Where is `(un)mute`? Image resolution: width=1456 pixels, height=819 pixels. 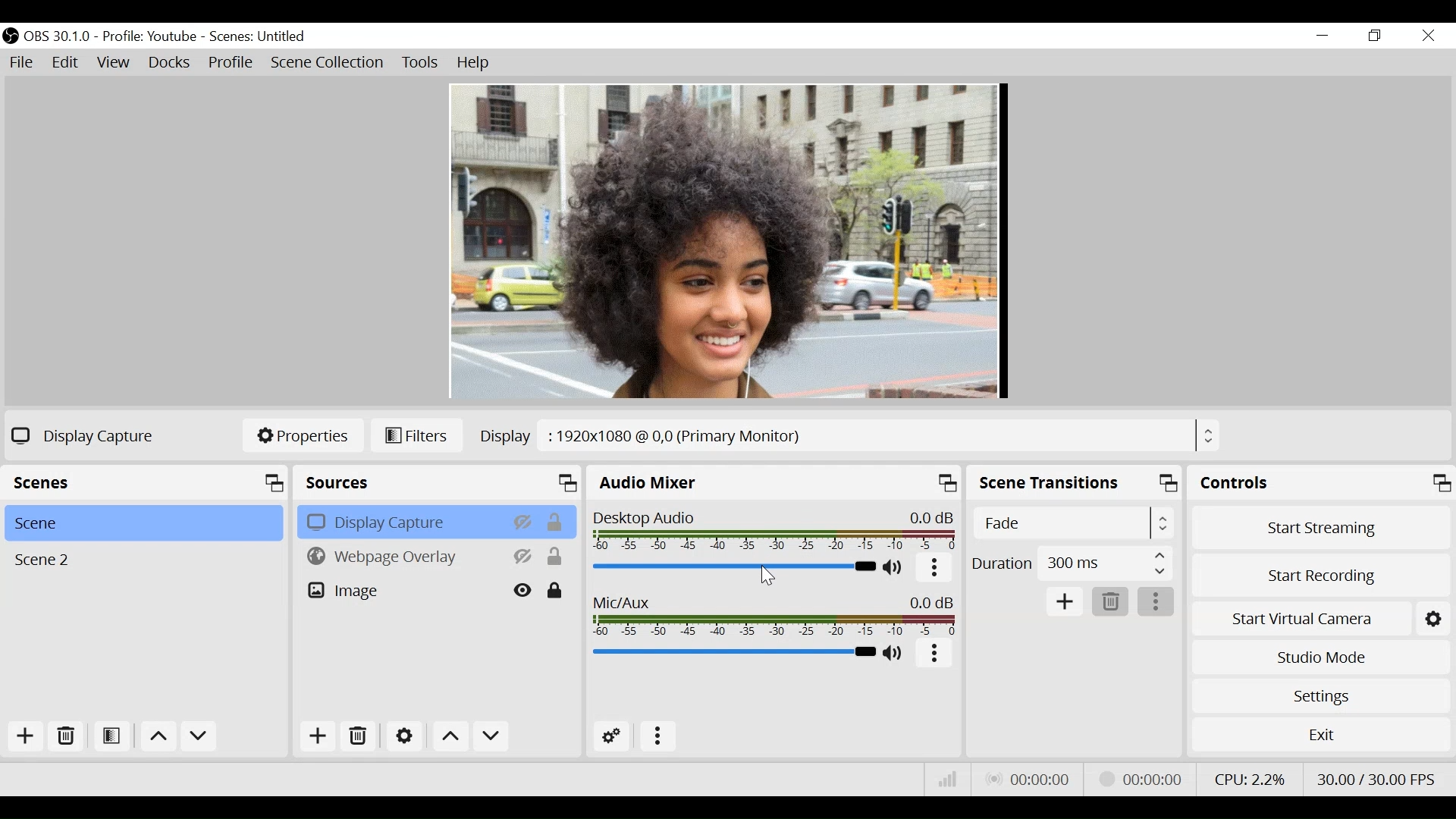 (un)mute is located at coordinates (896, 568).